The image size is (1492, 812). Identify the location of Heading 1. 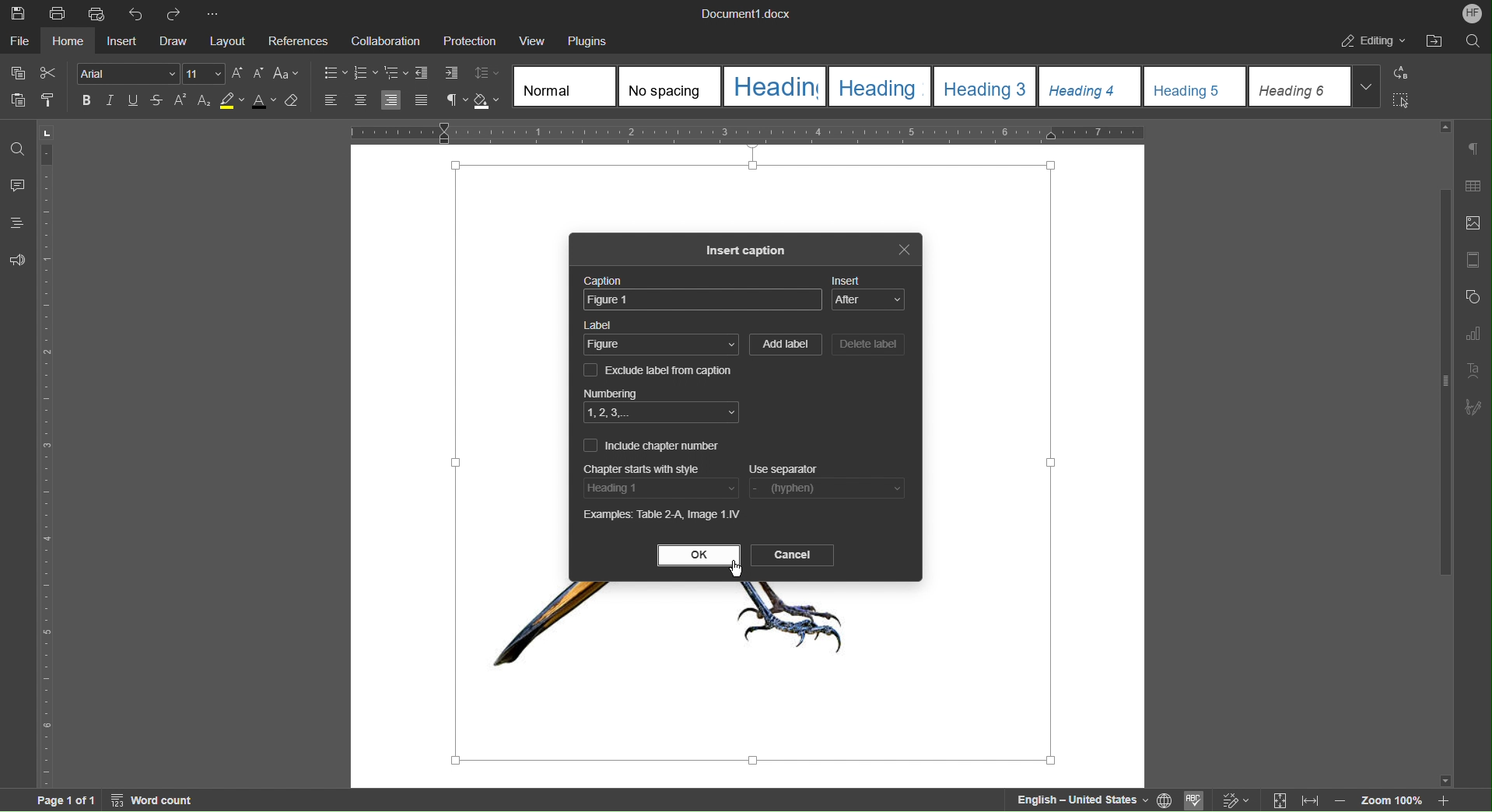
(663, 488).